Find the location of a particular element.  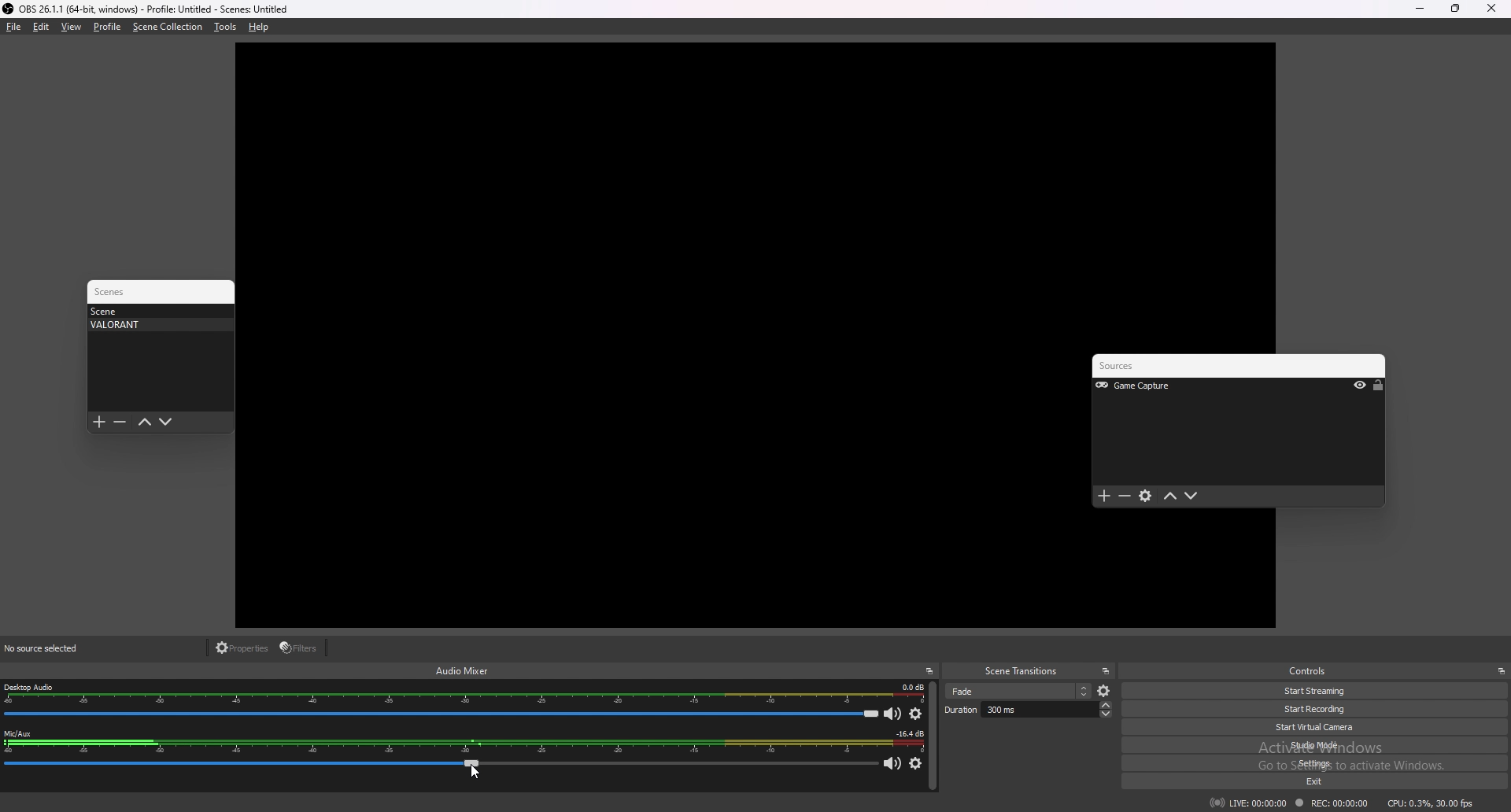

studio mode is located at coordinates (1322, 744).